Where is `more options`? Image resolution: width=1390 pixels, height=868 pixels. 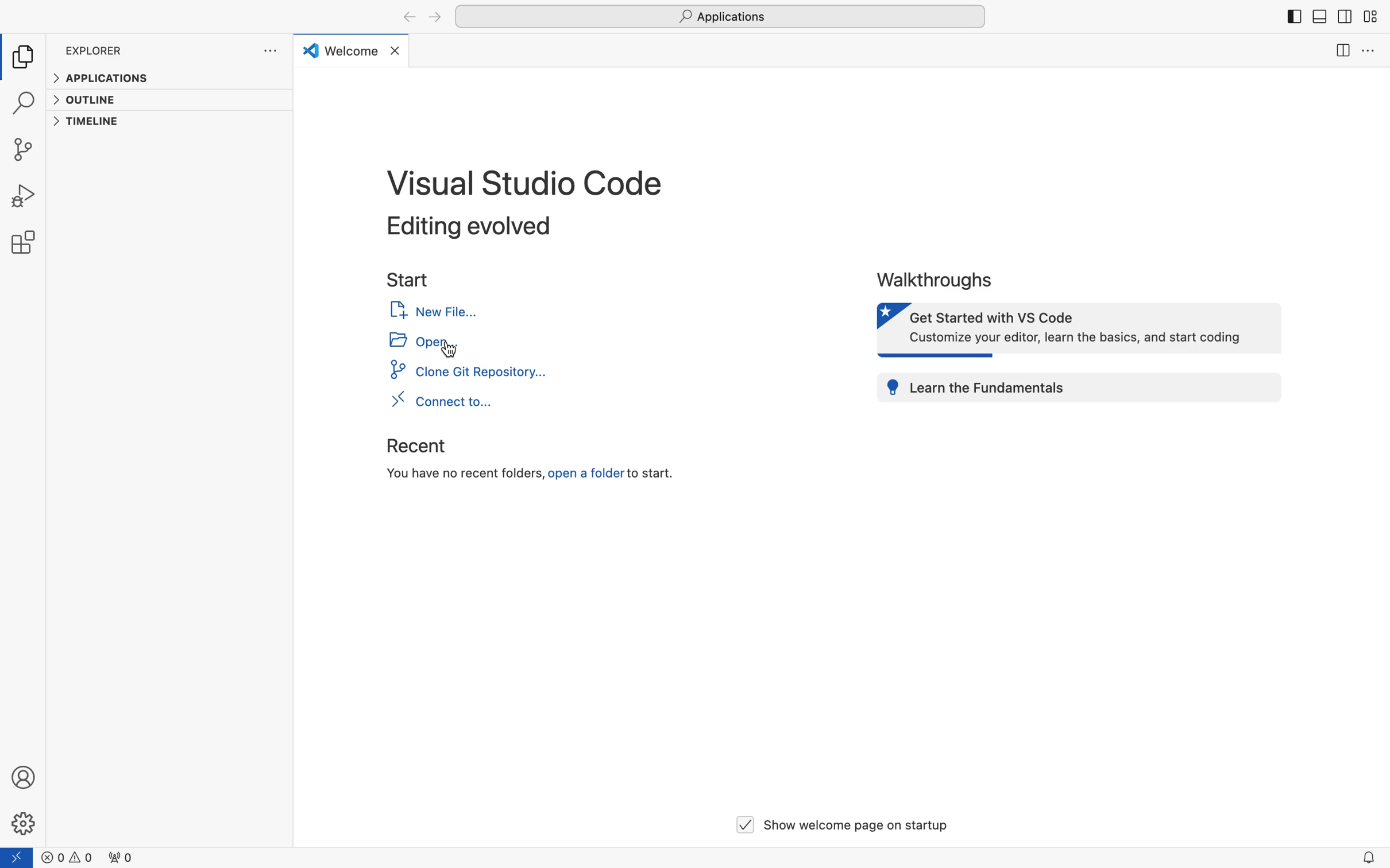 more options is located at coordinates (1368, 53).